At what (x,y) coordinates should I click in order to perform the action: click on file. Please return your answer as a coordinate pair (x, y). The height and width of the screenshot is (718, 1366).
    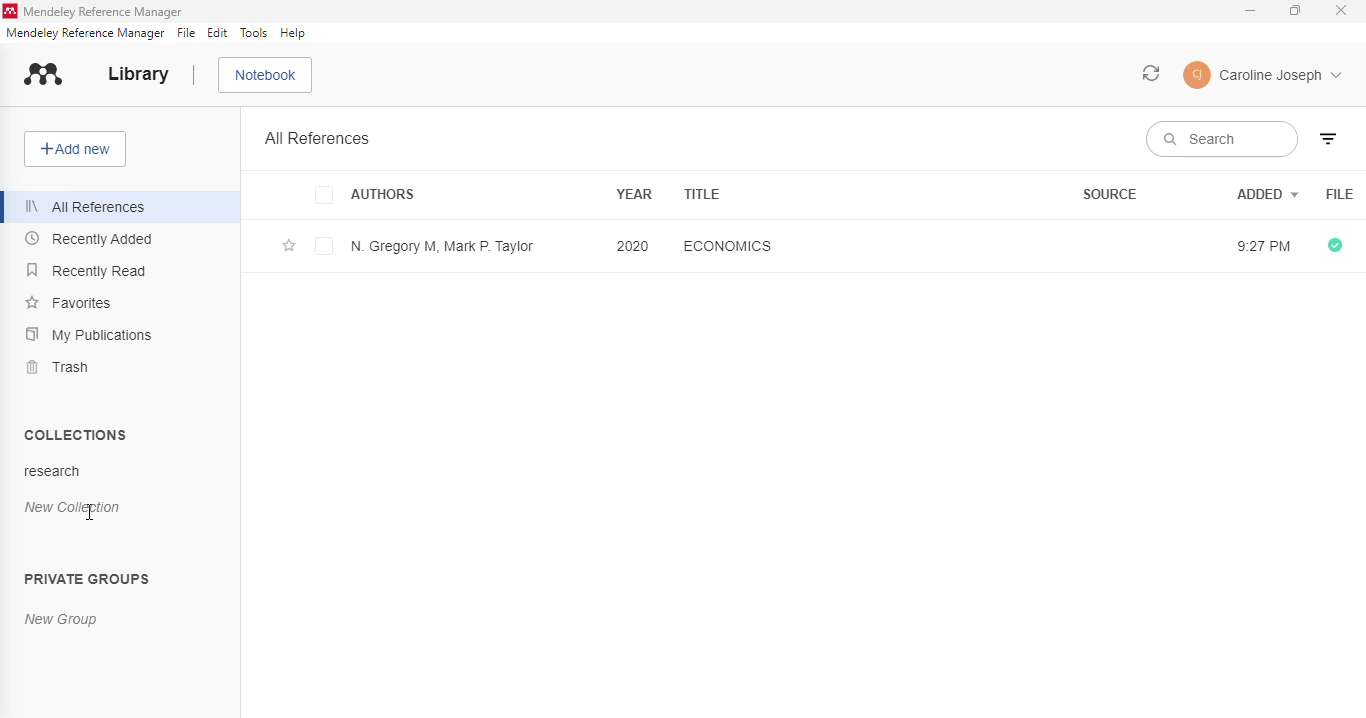
    Looking at the image, I should click on (187, 33).